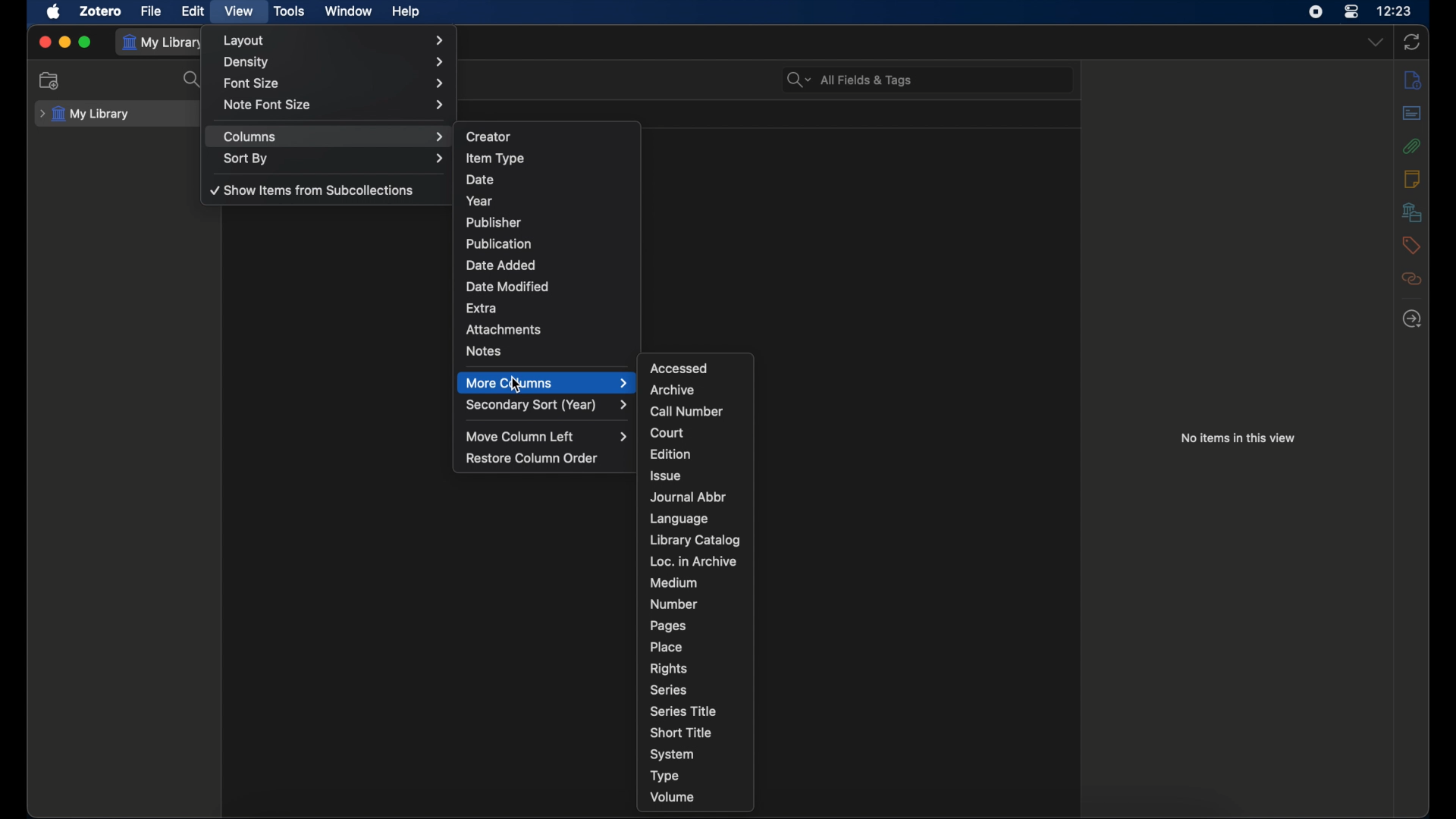 The image size is (1456, 819). What do you see at coordinates (547, 405) in the screenshot?
I see `secondary sort` at bounding box center [547, 405].